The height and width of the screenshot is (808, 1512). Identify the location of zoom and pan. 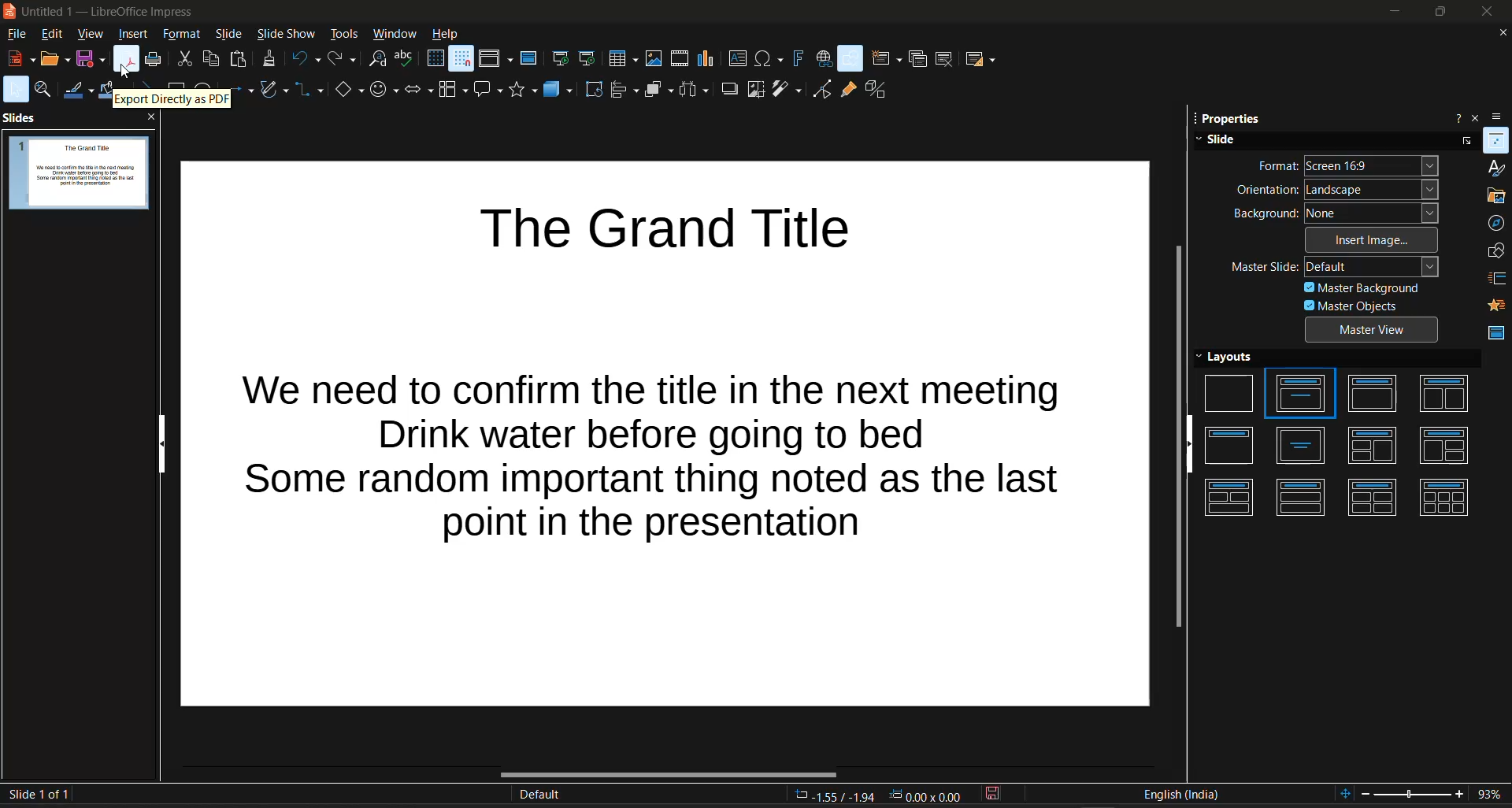
(45, 90).